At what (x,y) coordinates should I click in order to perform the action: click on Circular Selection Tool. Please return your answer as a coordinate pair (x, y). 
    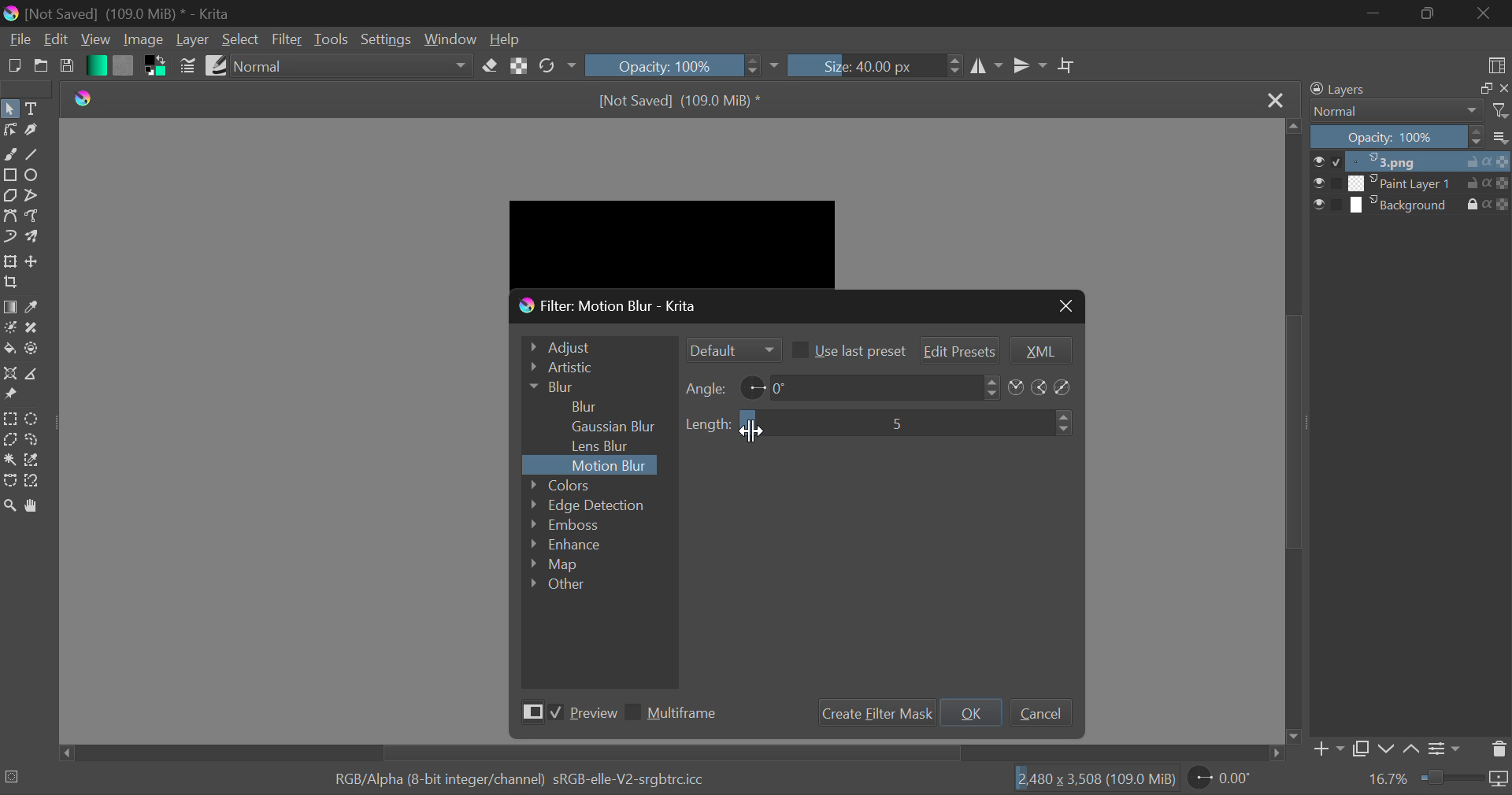
    Looking at the image, I should click on (35, 420).